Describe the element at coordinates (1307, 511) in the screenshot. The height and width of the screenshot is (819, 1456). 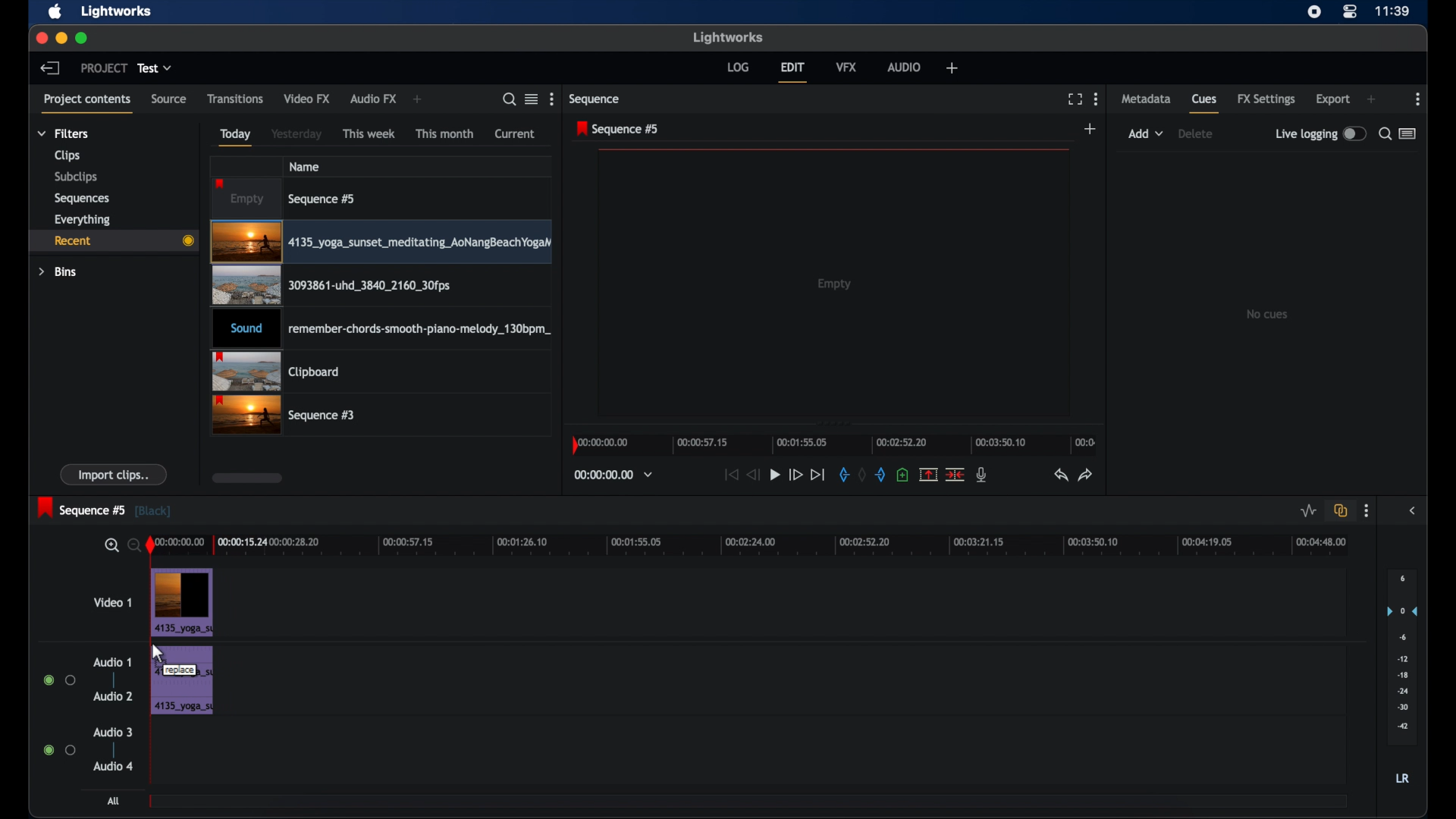
I see `toggle audio levels editing` at that location.